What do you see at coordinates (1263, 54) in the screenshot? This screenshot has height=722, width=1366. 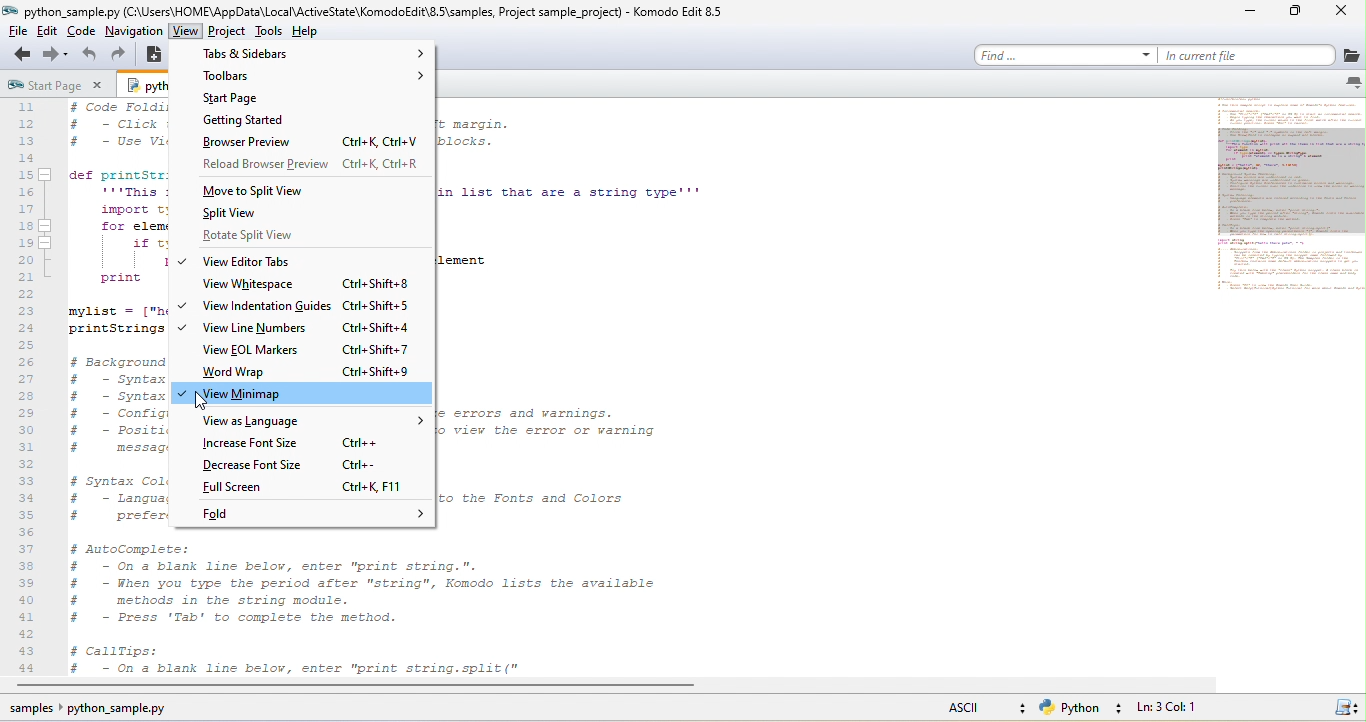 I see `in current file` at bounding box center [1263, 54].